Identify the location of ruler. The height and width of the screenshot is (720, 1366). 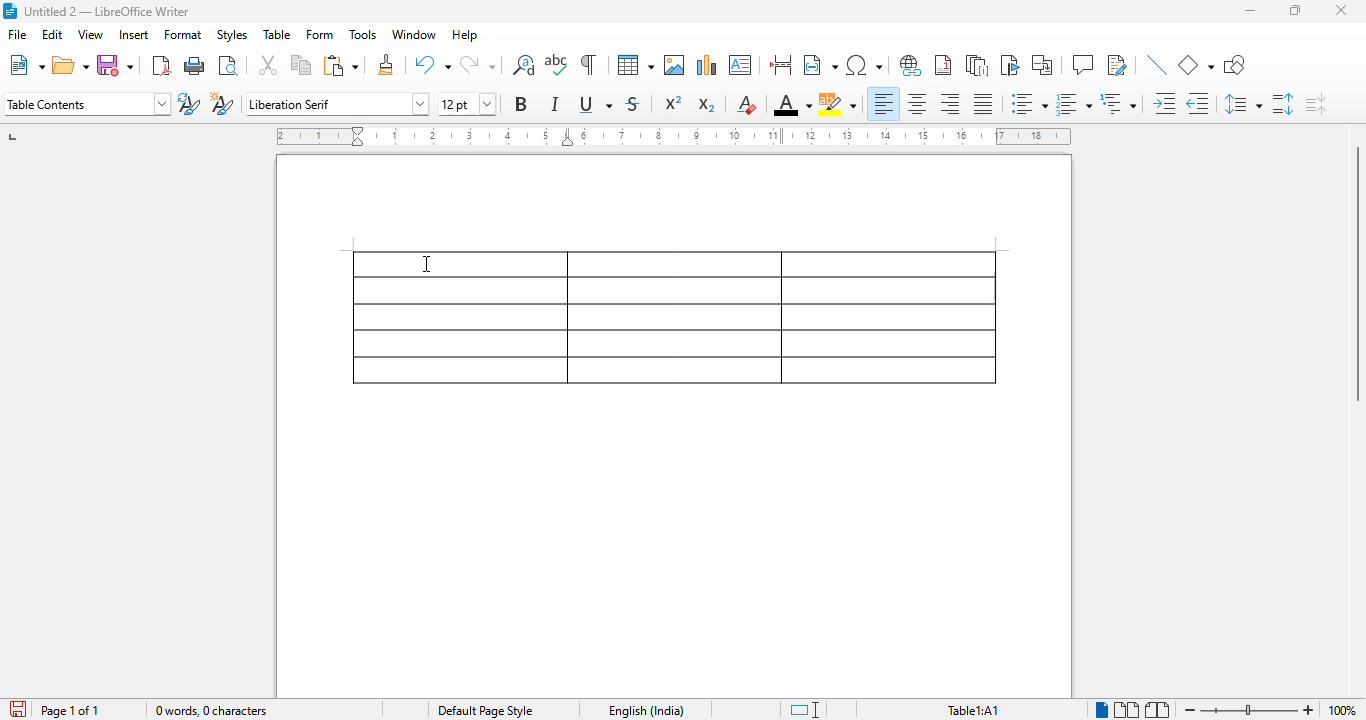
(673, 136).